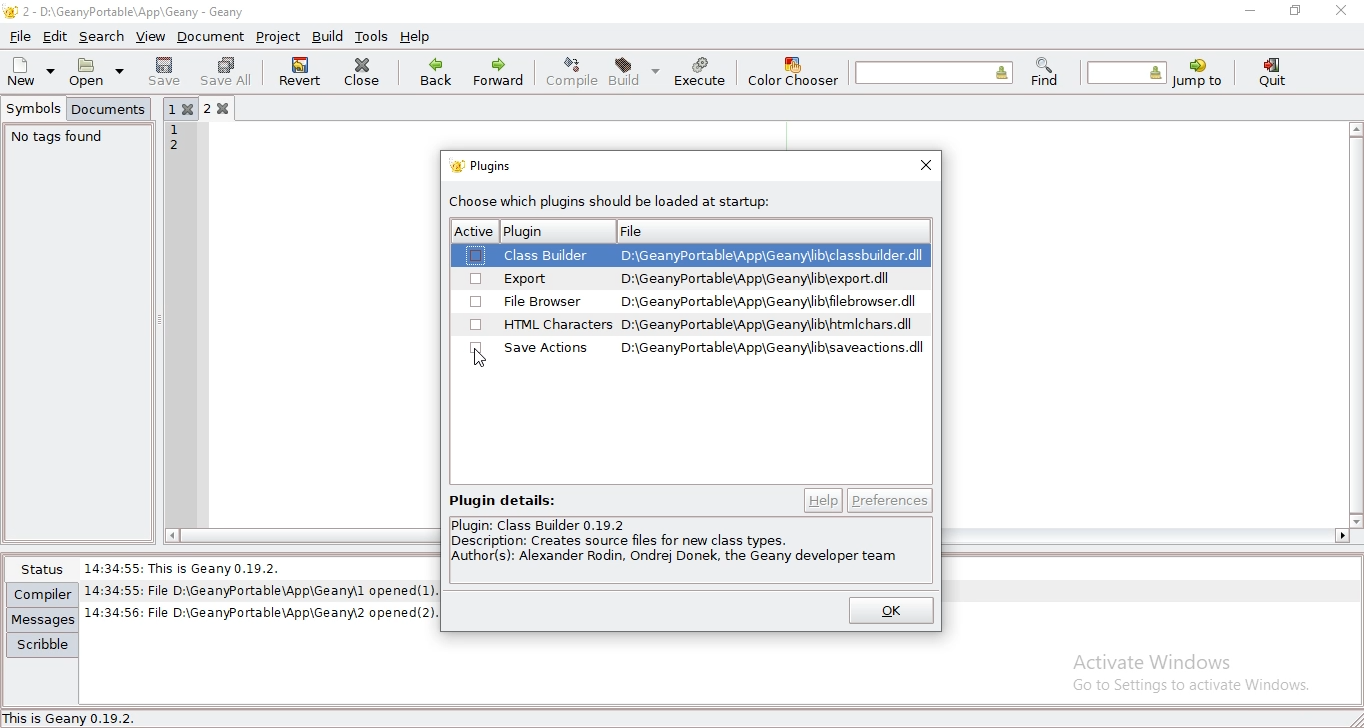 The image size is (1364, 728). Describe the element at coordinates (265, 611) in the screenshot. I see `| 14:34:56: File D:\GeanyPortable\App\Geanw2 opened(2).` at that location.